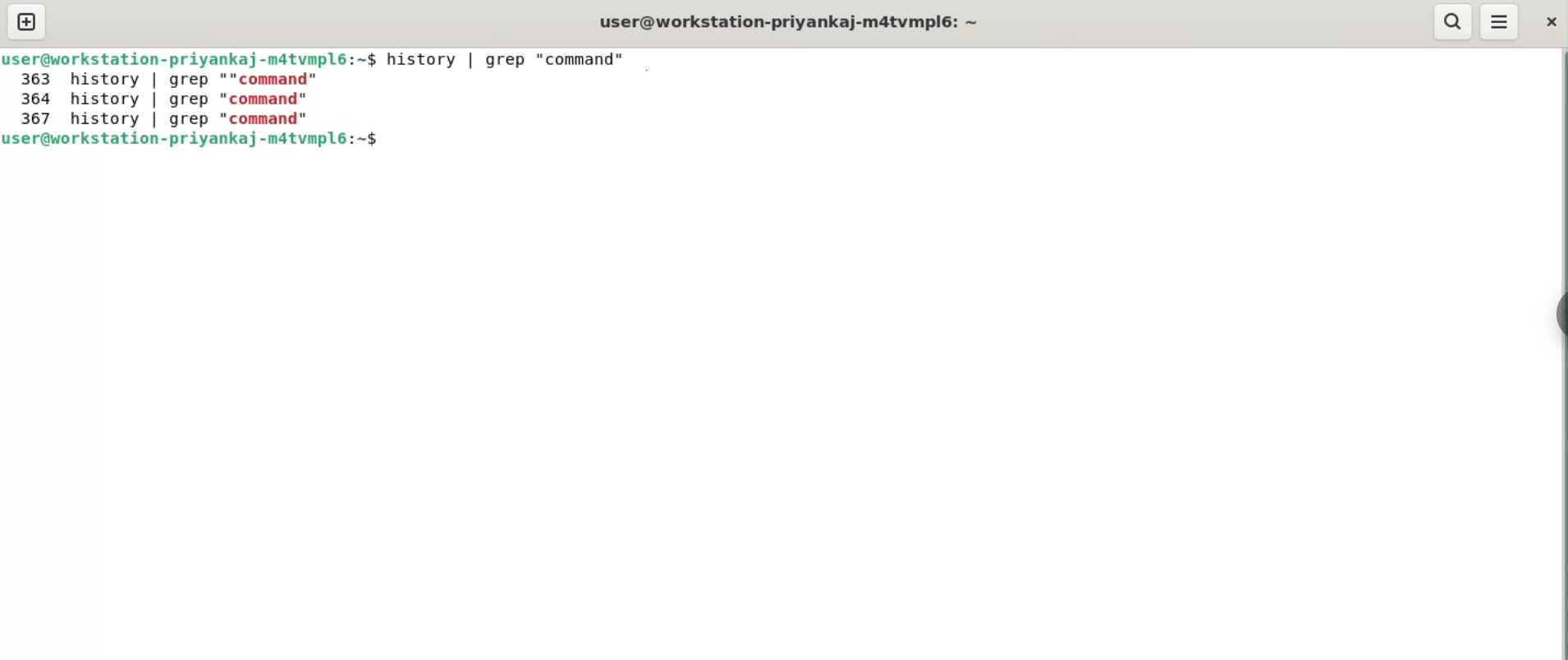 This screenshot has height=660, width=1568. What do you see at coordinates (171, 97) in the screenshot?
I see `364 historv | arep "command"` at bounding box center [171, 97].